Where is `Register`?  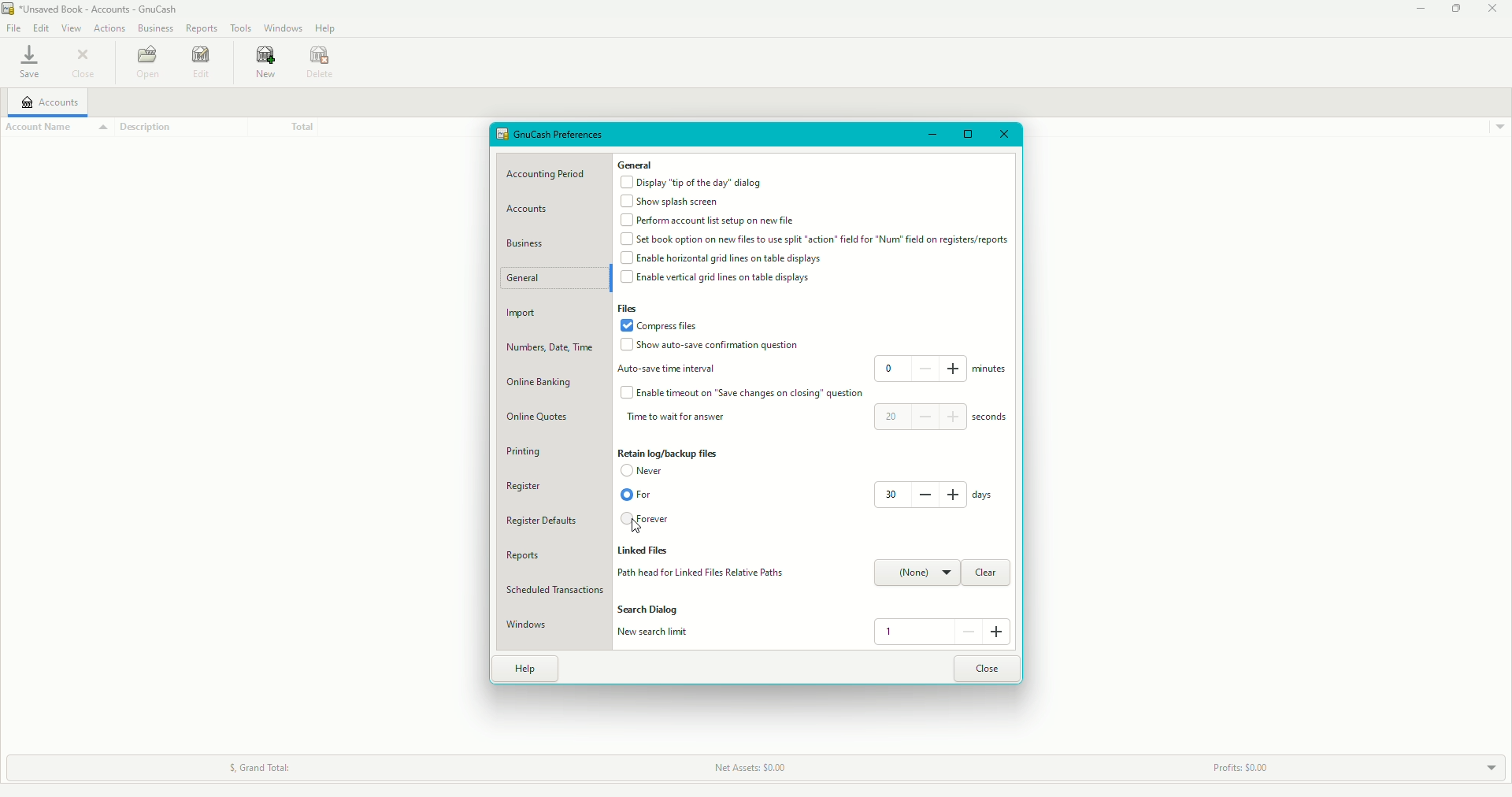
Register is located at coordinates (524, 487).